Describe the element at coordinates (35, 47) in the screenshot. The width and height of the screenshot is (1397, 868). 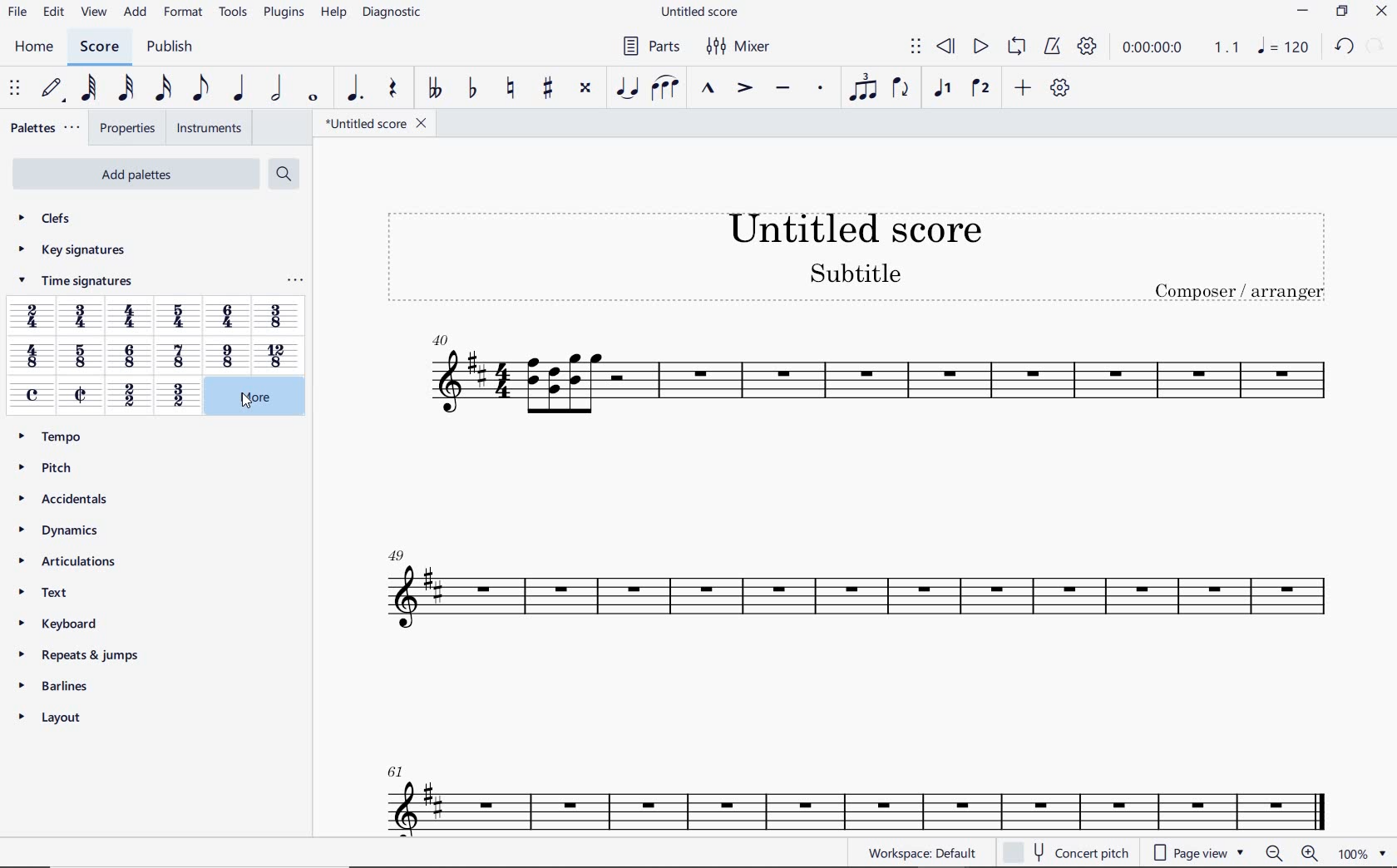
I see `HOME` at that location.